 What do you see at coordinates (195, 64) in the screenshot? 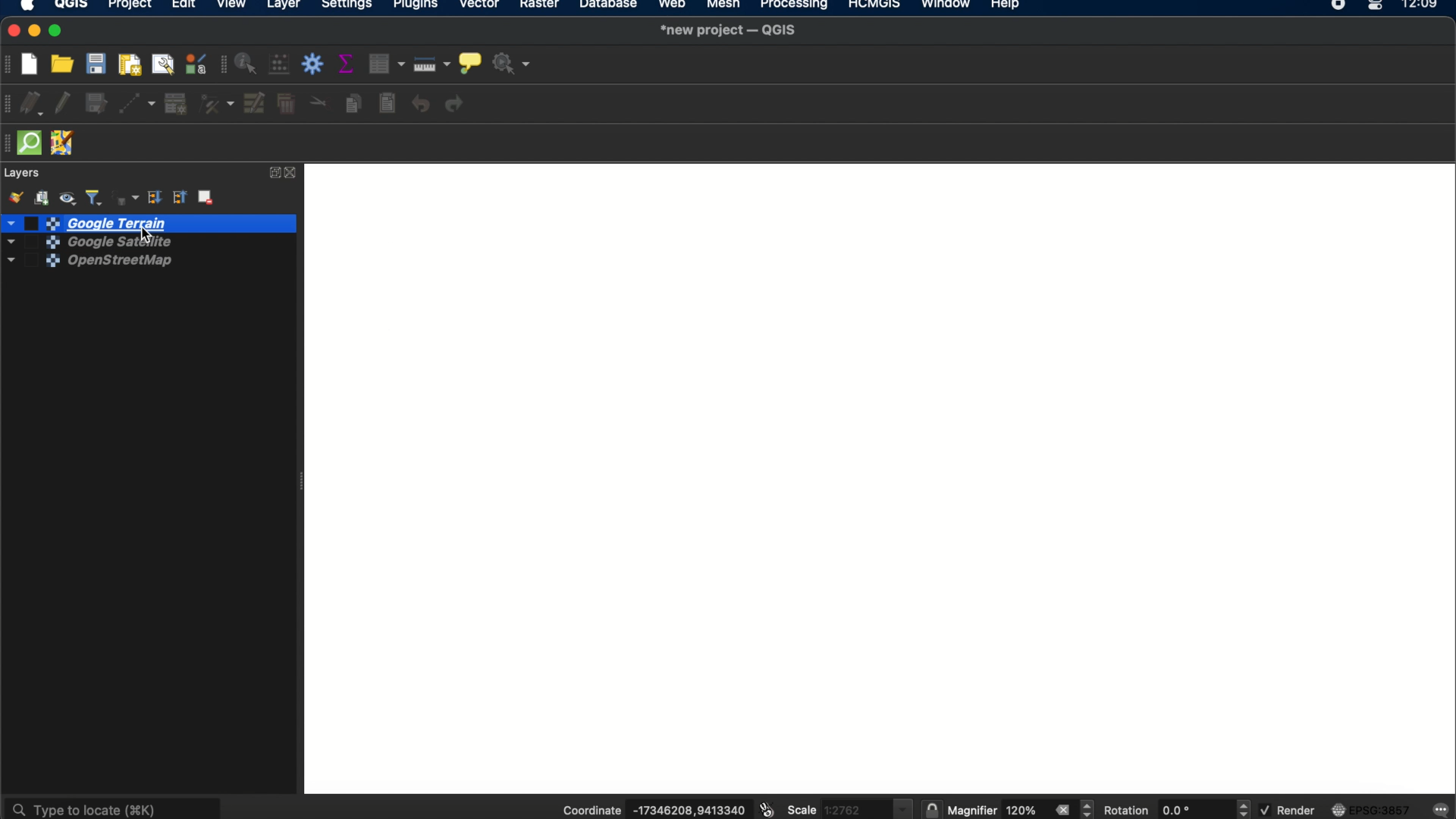
I see `style manager` at bounding box center [195, 64].